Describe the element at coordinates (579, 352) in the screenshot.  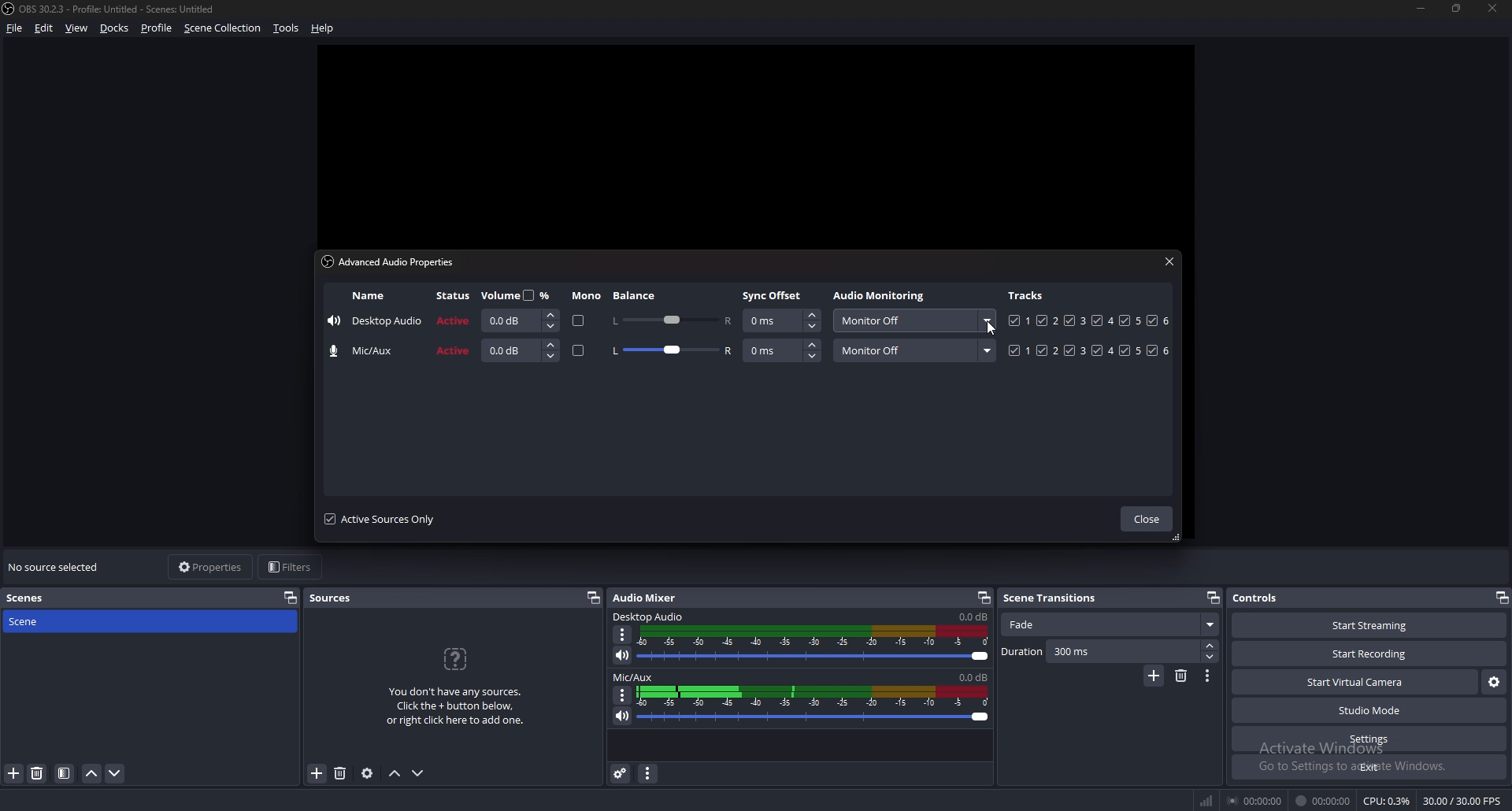
I see `mono` at that location.